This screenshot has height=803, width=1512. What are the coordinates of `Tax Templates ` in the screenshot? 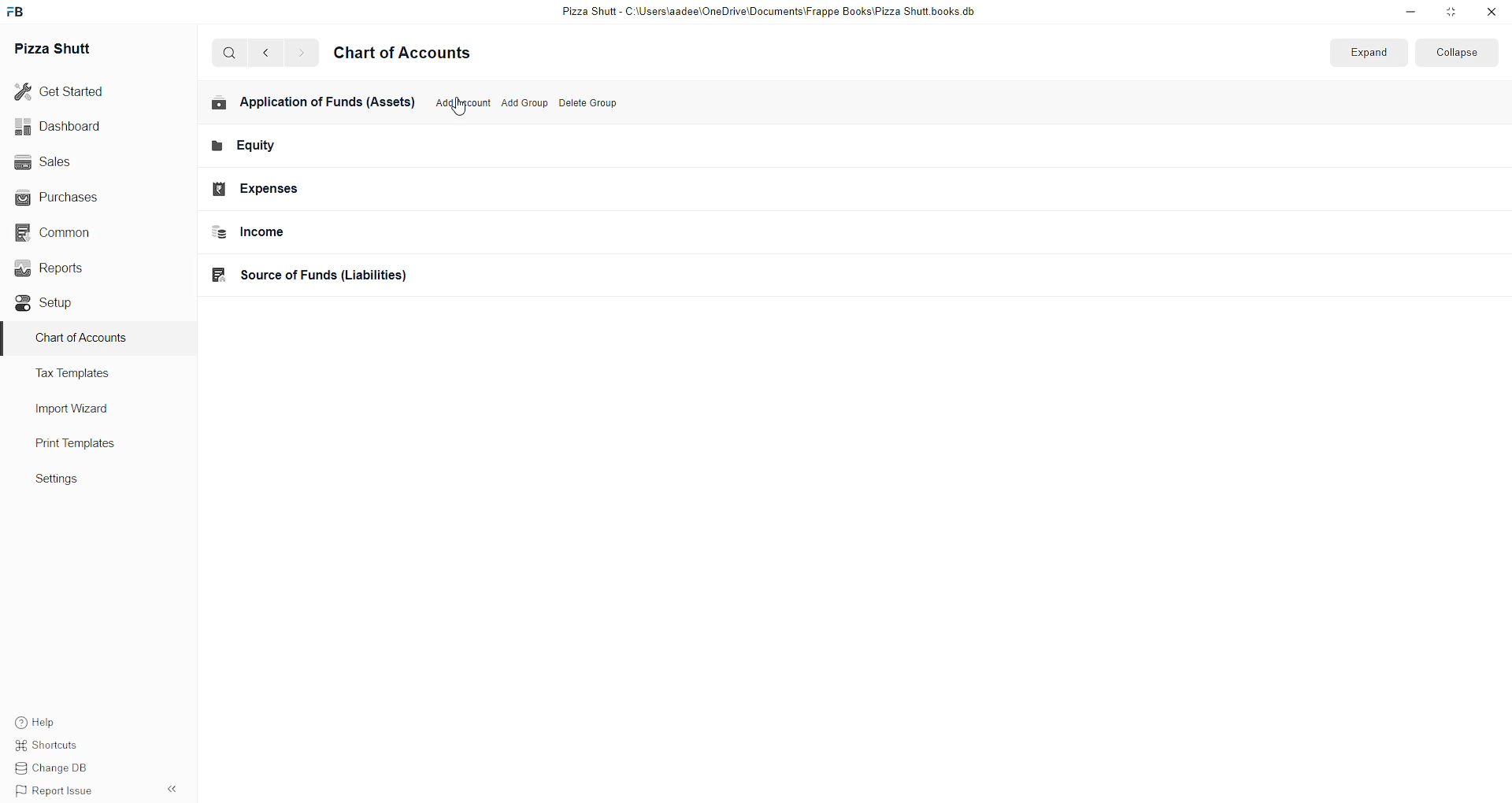 It's located at (92, 376).